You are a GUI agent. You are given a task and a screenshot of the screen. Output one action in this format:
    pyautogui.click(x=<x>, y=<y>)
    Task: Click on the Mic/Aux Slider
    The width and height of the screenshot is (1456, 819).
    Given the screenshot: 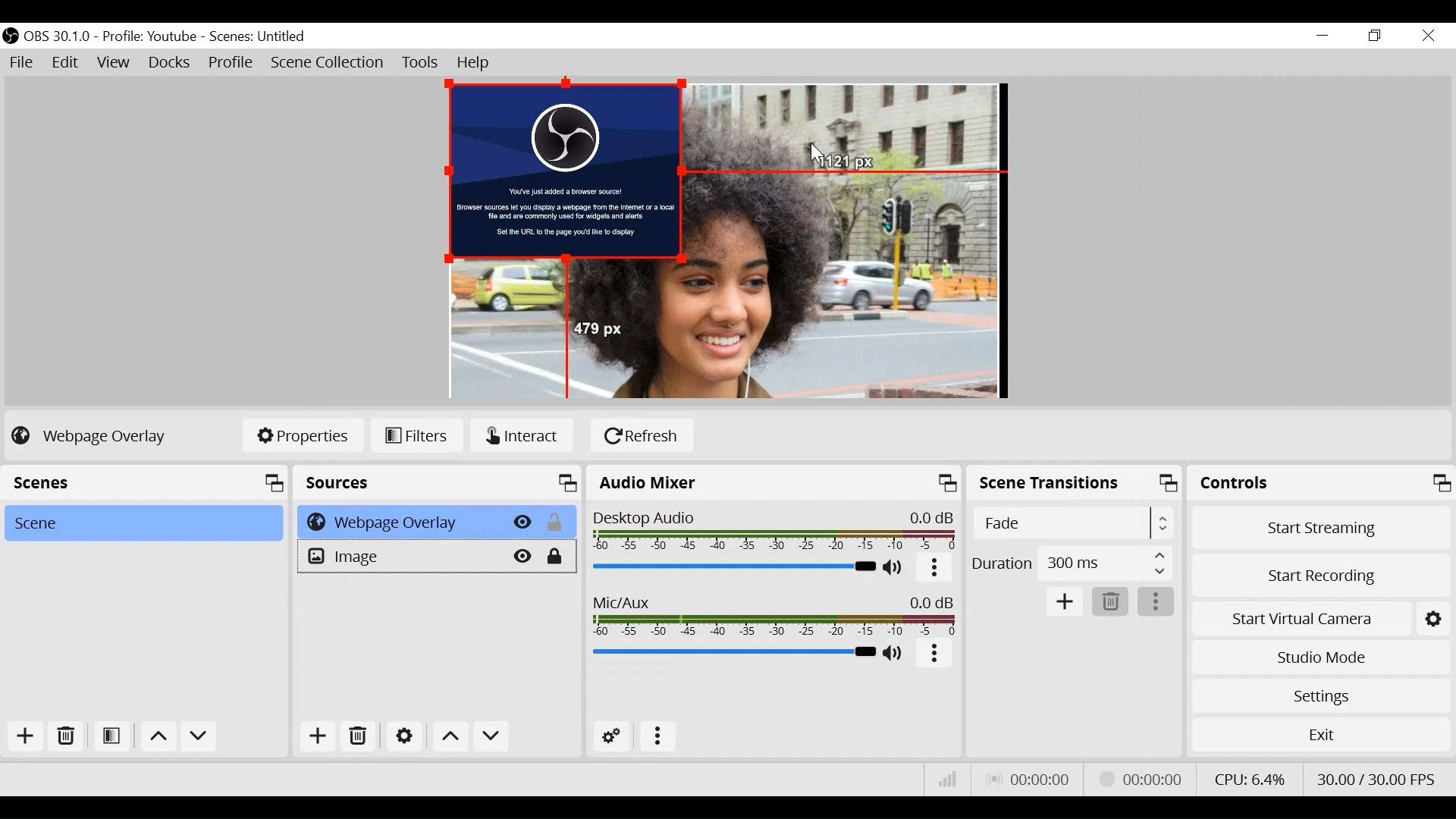 What is the action you would take?
    pyautogui.click(x=734, y=651)
    